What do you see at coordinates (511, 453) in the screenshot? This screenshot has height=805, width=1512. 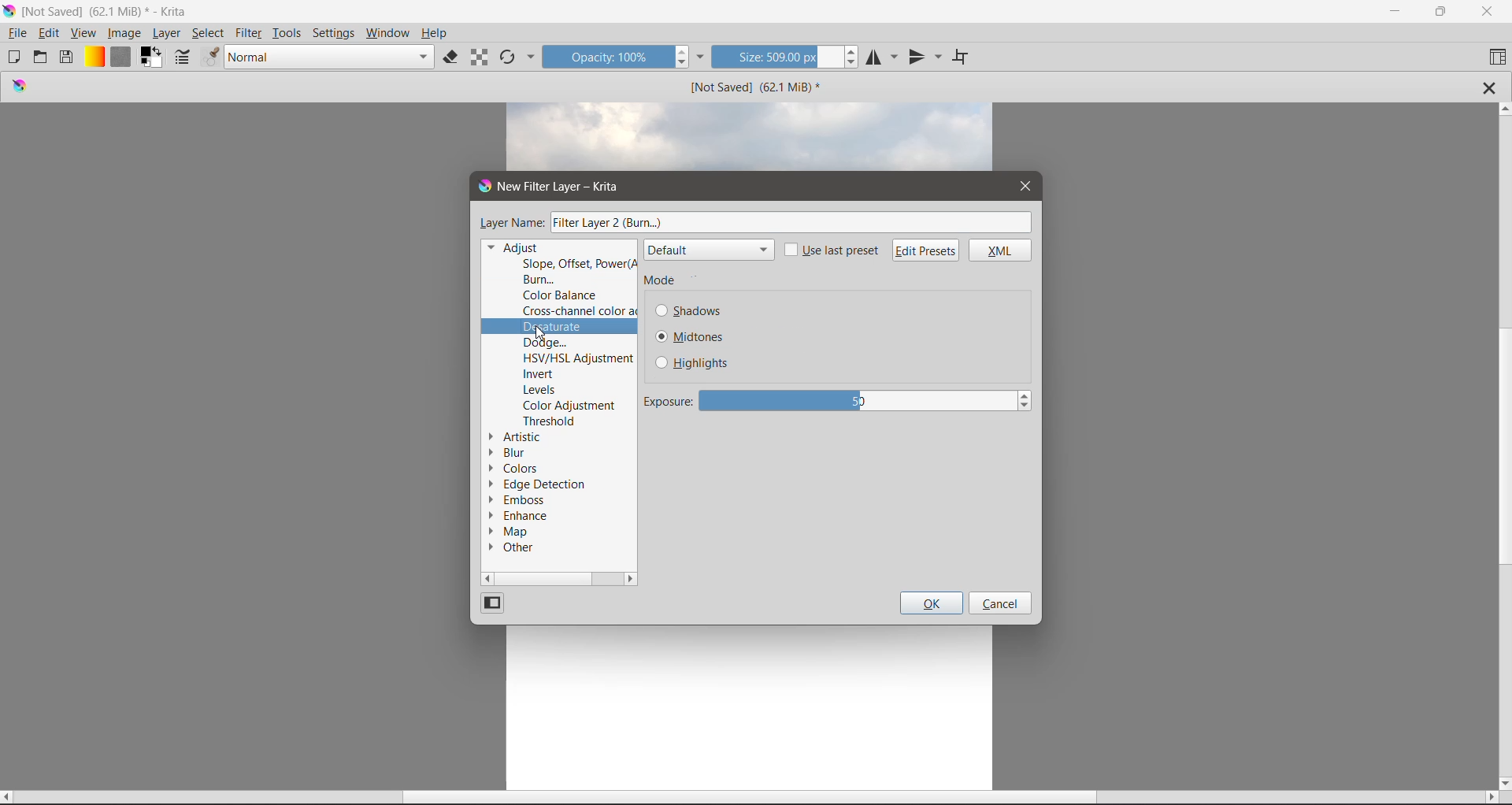 I see `Blur` at bounding box center [511, 453].